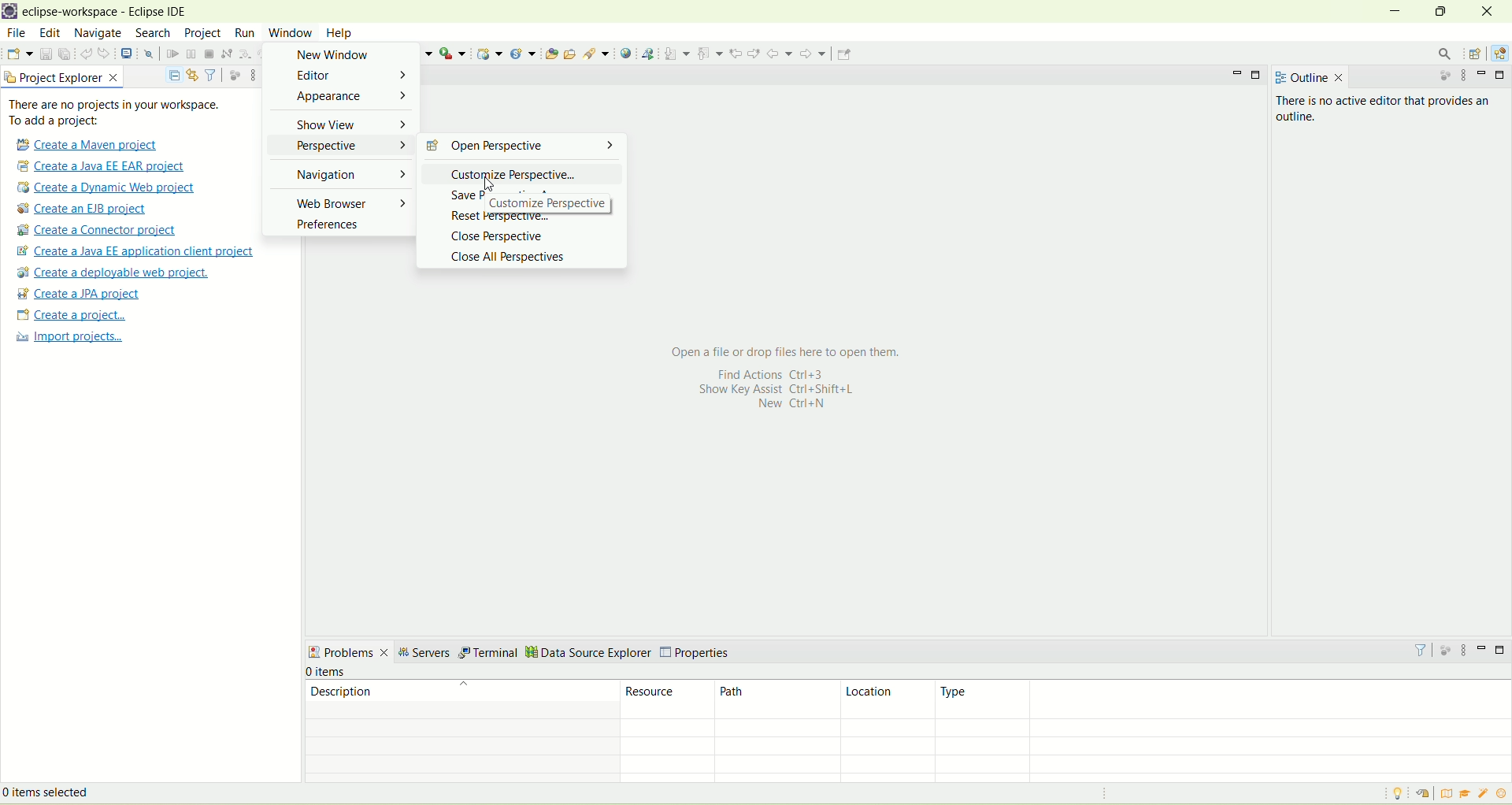 The width and height of the screenshot is (1512, 805). What do you see at coordinates (488, 653) in the screenshot?
I see `terminal` at bounding box center [488, 653].